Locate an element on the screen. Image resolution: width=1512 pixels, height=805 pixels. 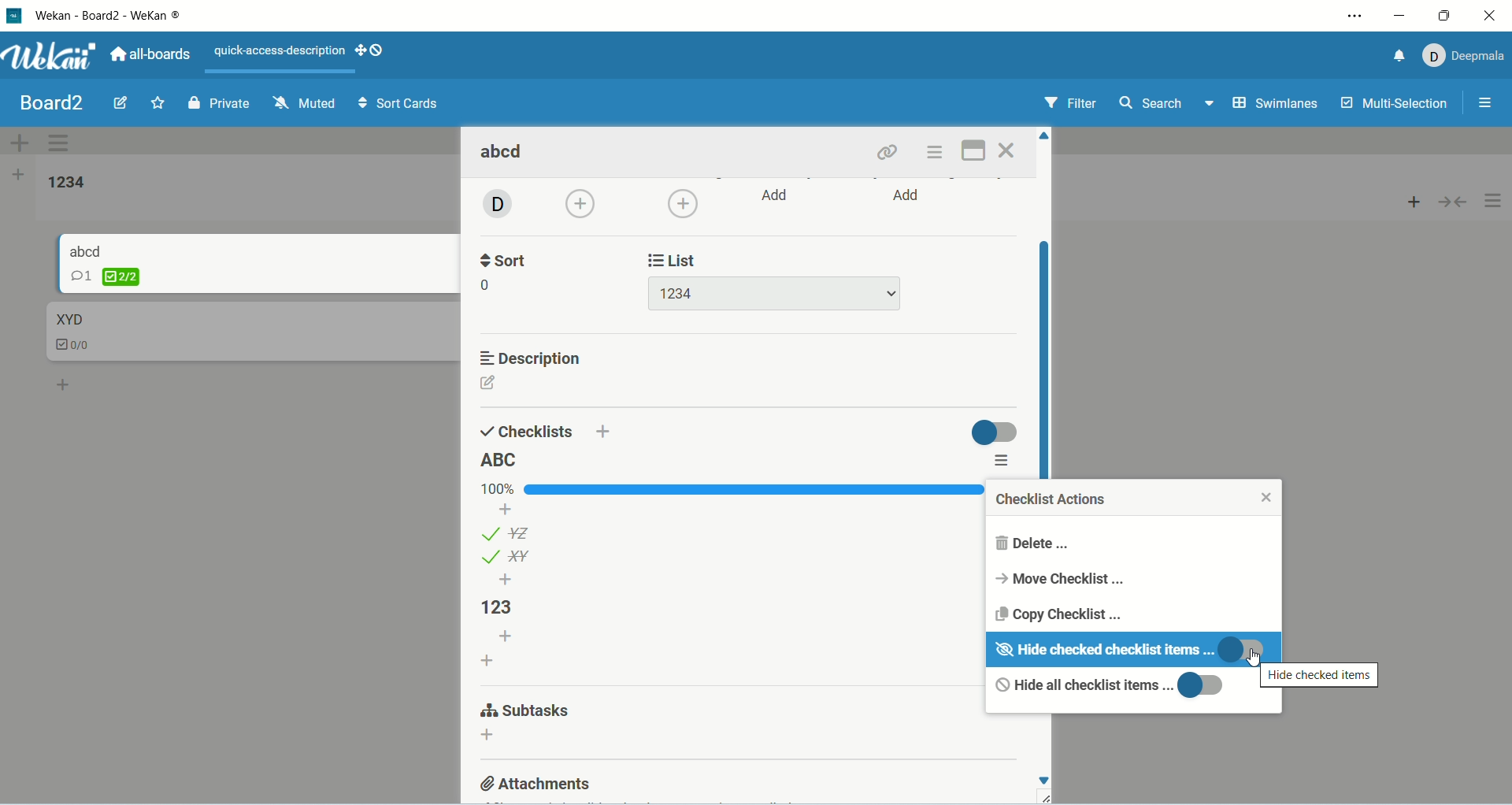
settings and more is located at coordinates (1354, 17).